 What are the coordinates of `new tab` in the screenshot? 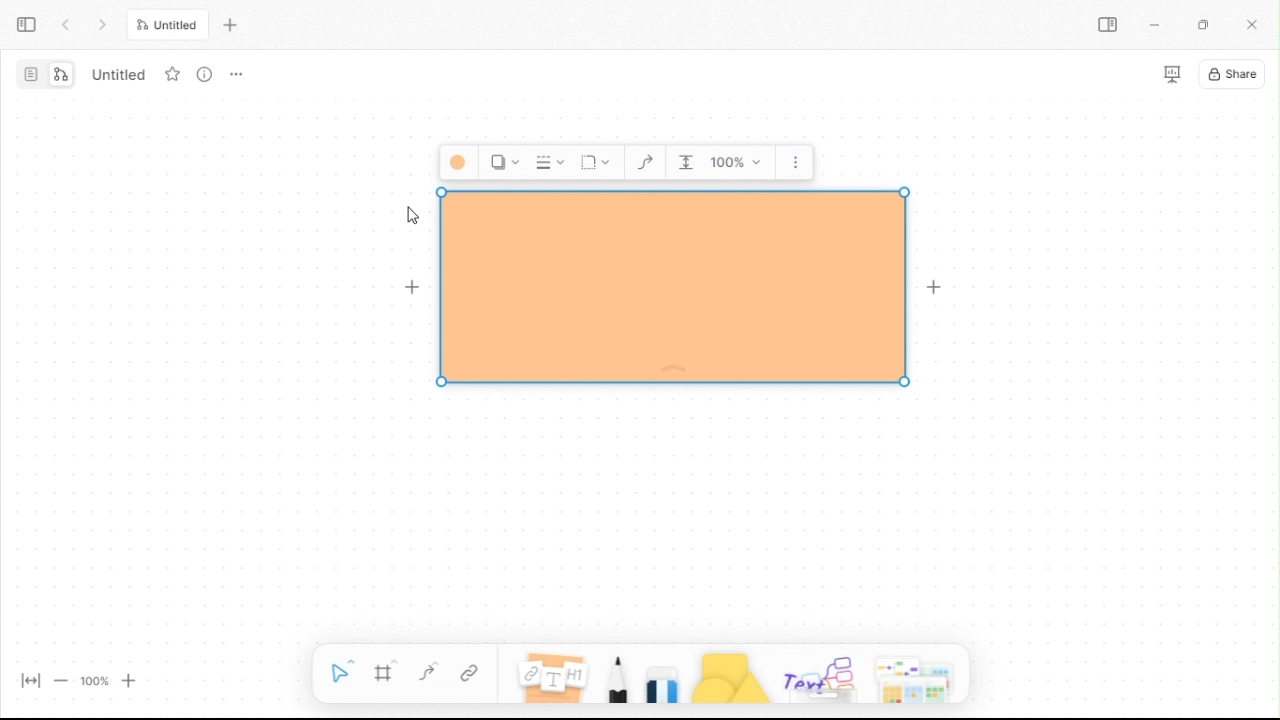 It's located at (230, 24).